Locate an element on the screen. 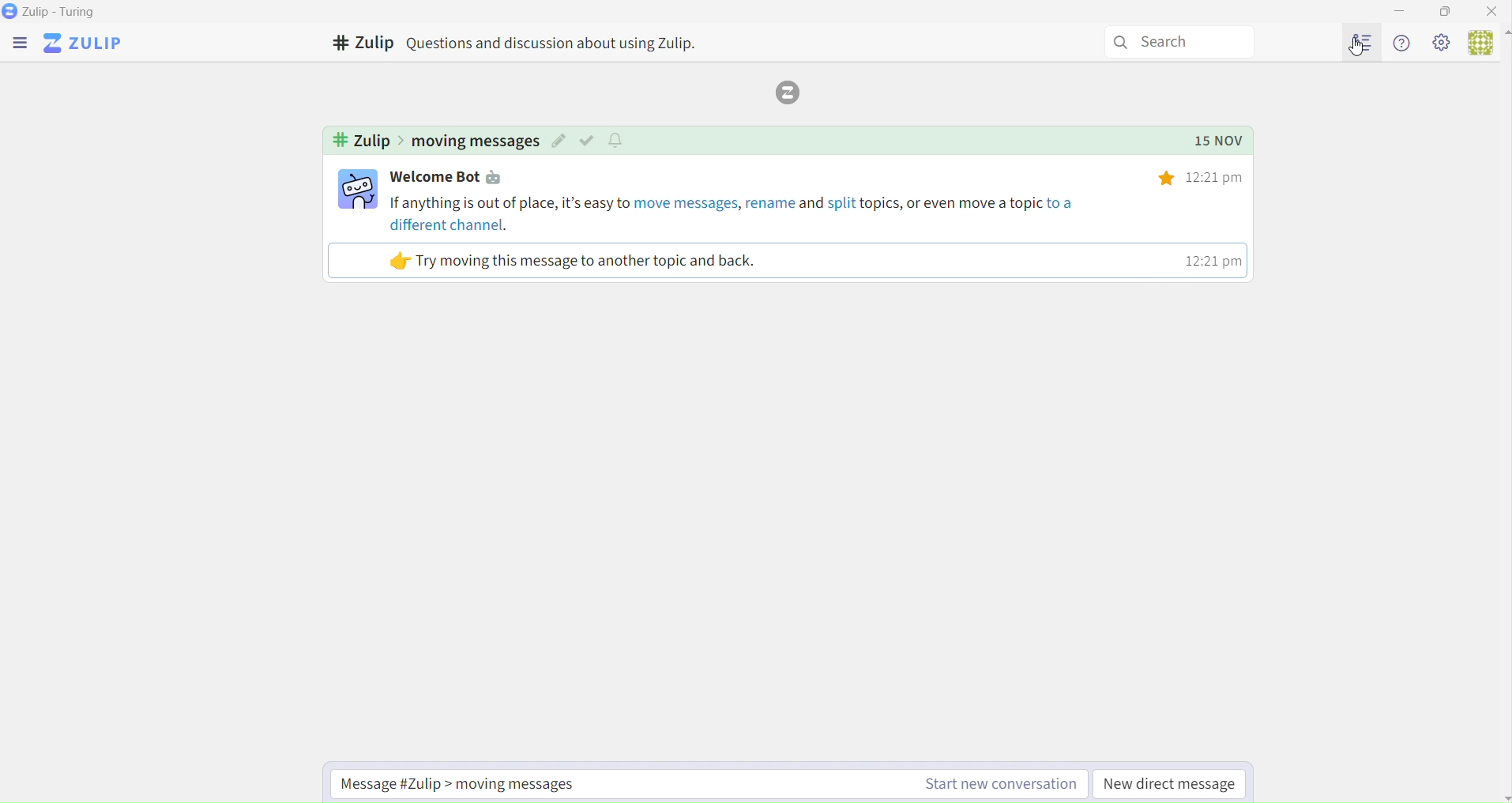 The image size is (1512, 803). 12:21pm is located at coordinates (1218, 177).